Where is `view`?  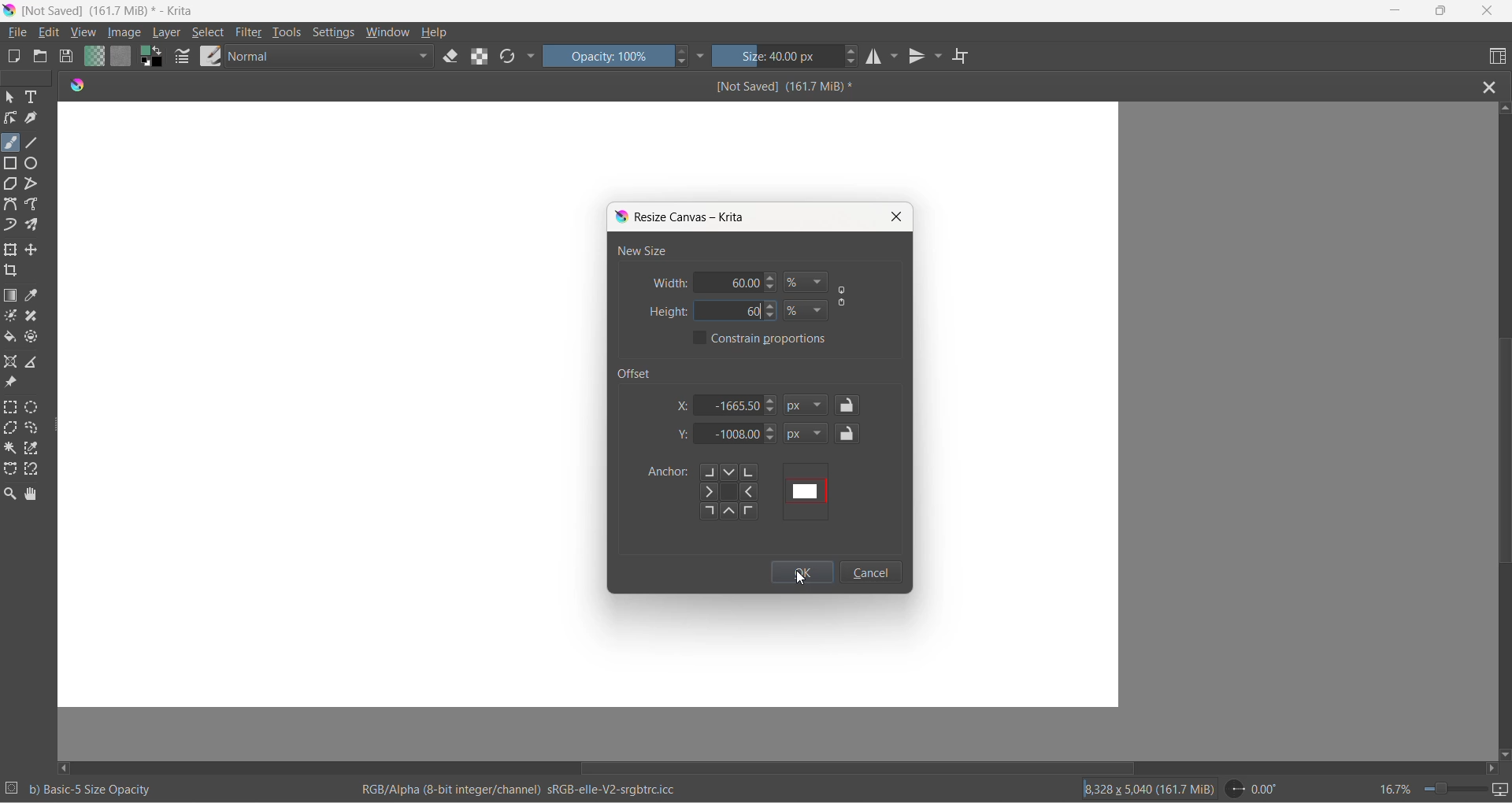 view is located at coordinates (84, 34).